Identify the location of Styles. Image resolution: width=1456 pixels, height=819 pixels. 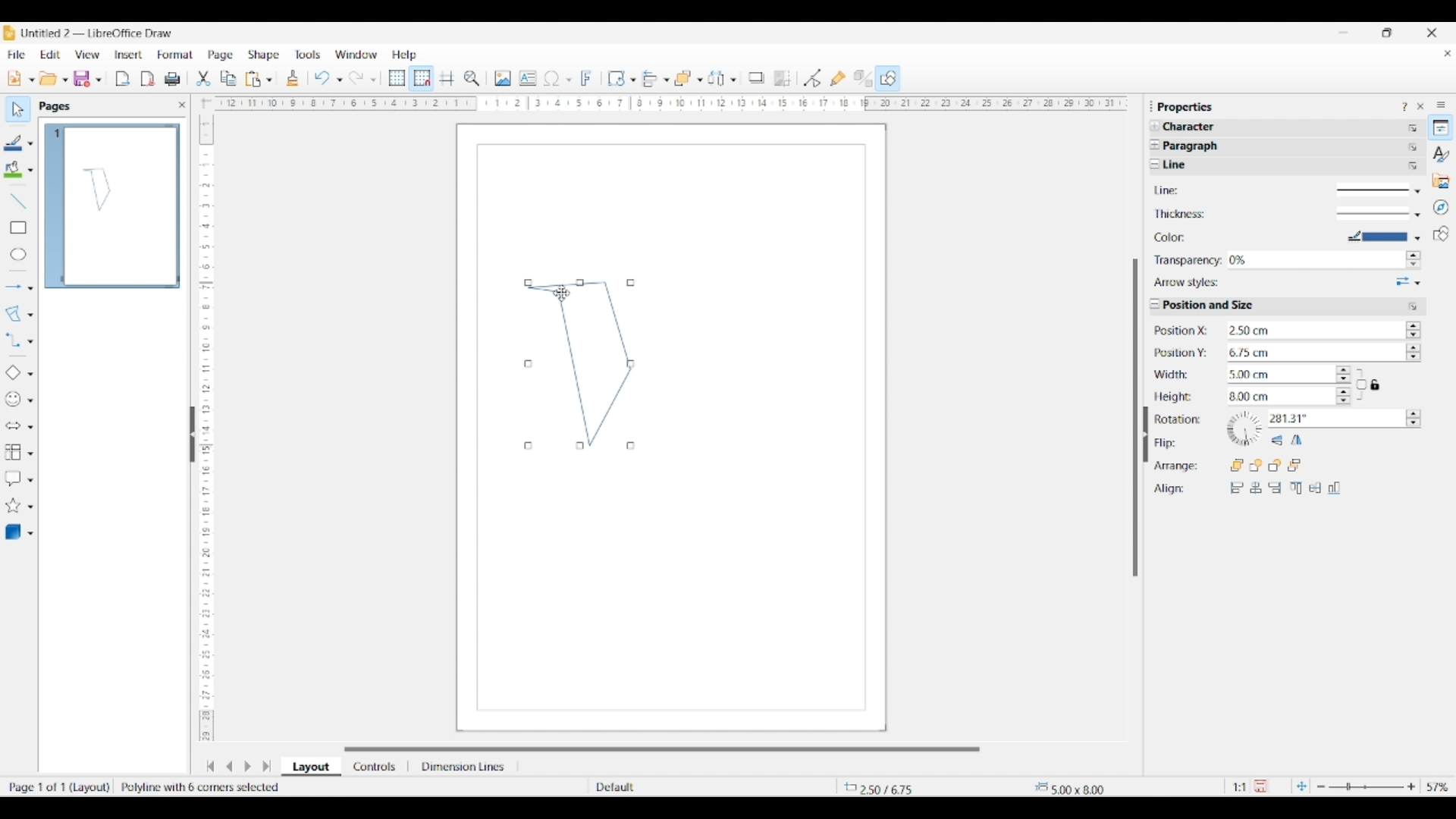
(1442, 154).